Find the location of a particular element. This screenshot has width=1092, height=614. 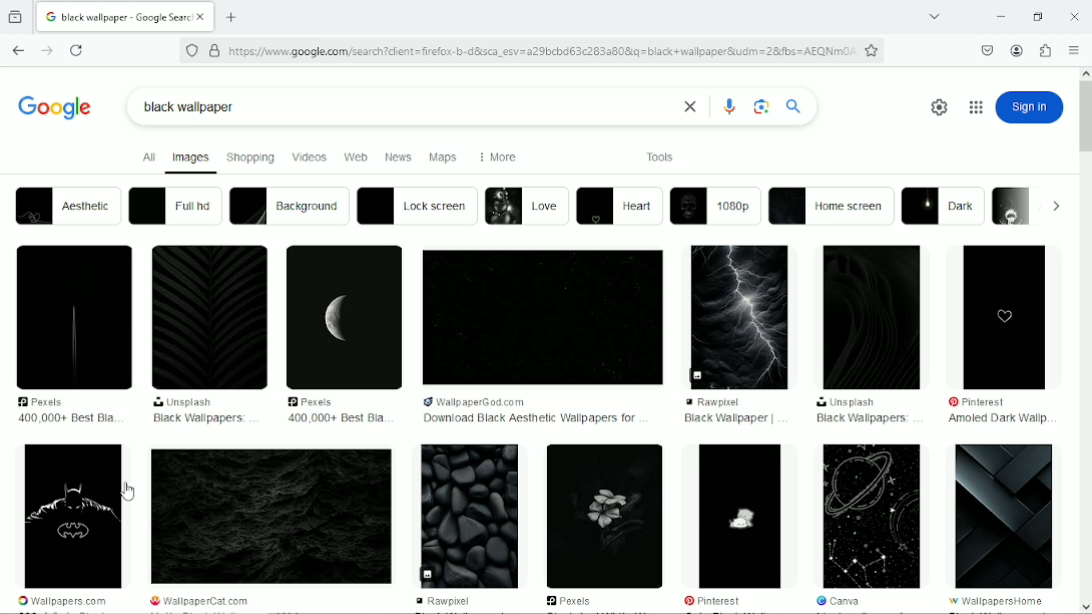

no trackers known to firefox were detected on this page is located at coordinates (191, 49).